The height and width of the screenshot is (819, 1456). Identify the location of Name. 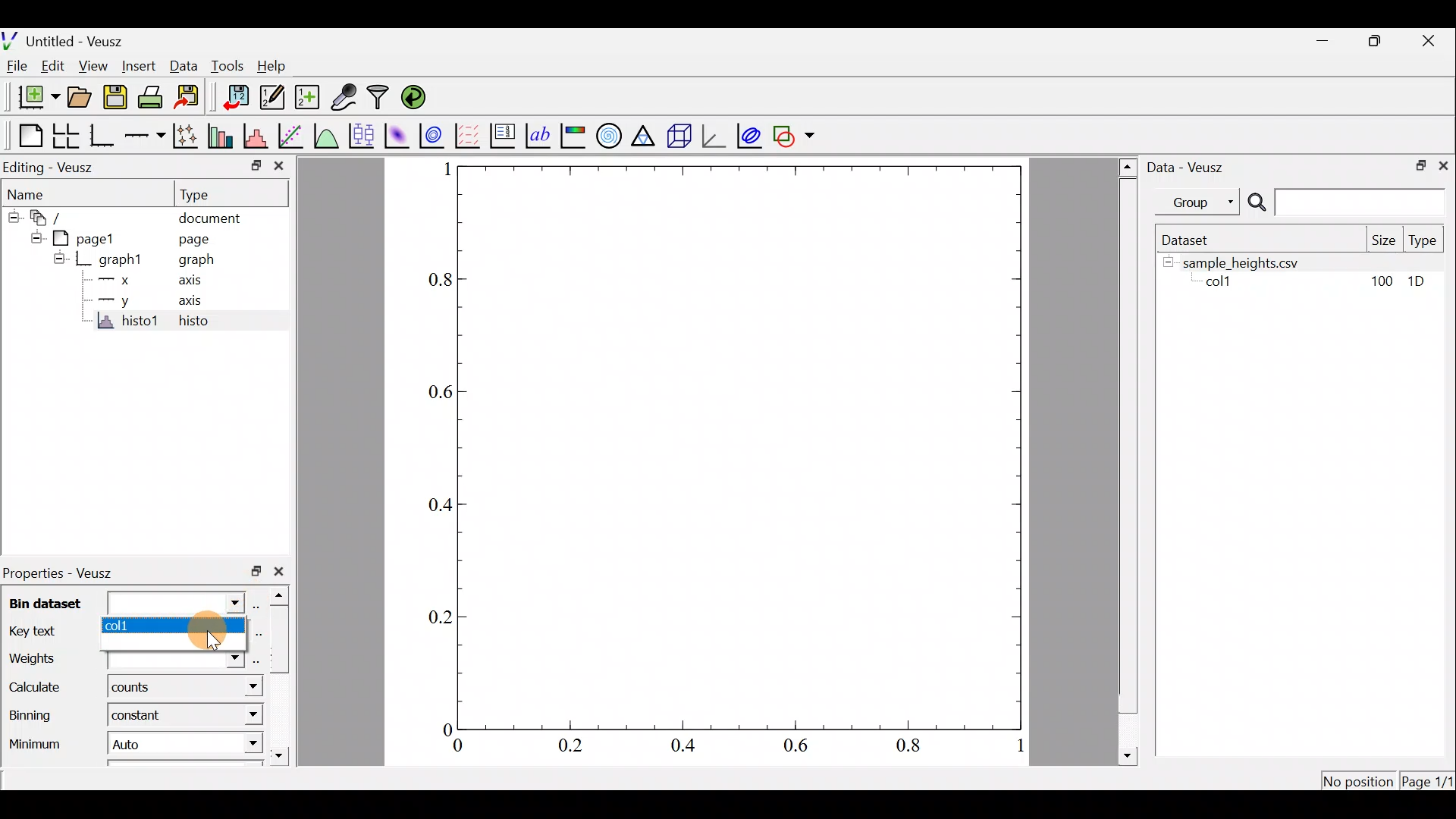
(33, 193).